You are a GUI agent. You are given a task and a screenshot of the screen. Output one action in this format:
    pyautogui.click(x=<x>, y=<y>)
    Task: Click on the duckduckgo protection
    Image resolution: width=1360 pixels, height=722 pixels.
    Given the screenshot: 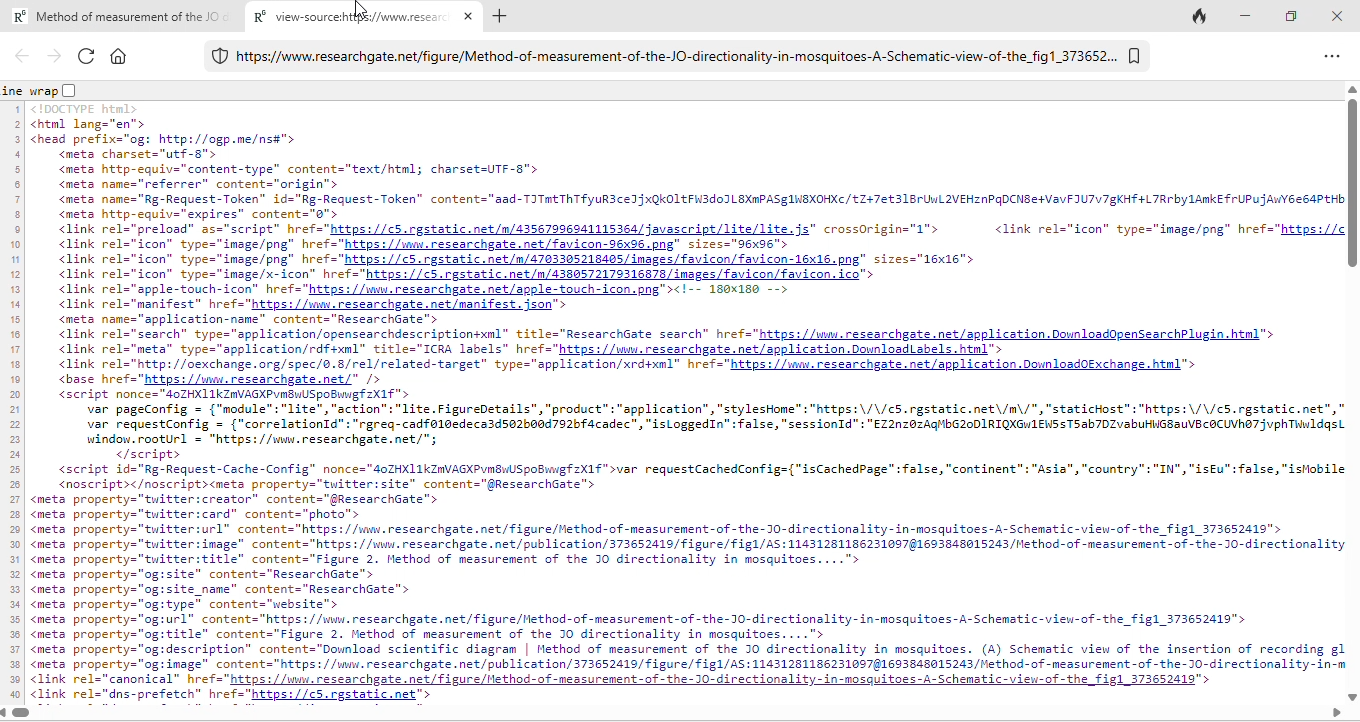 What is the action you would take?
    pyautogui.click(x=217, y=56)
    